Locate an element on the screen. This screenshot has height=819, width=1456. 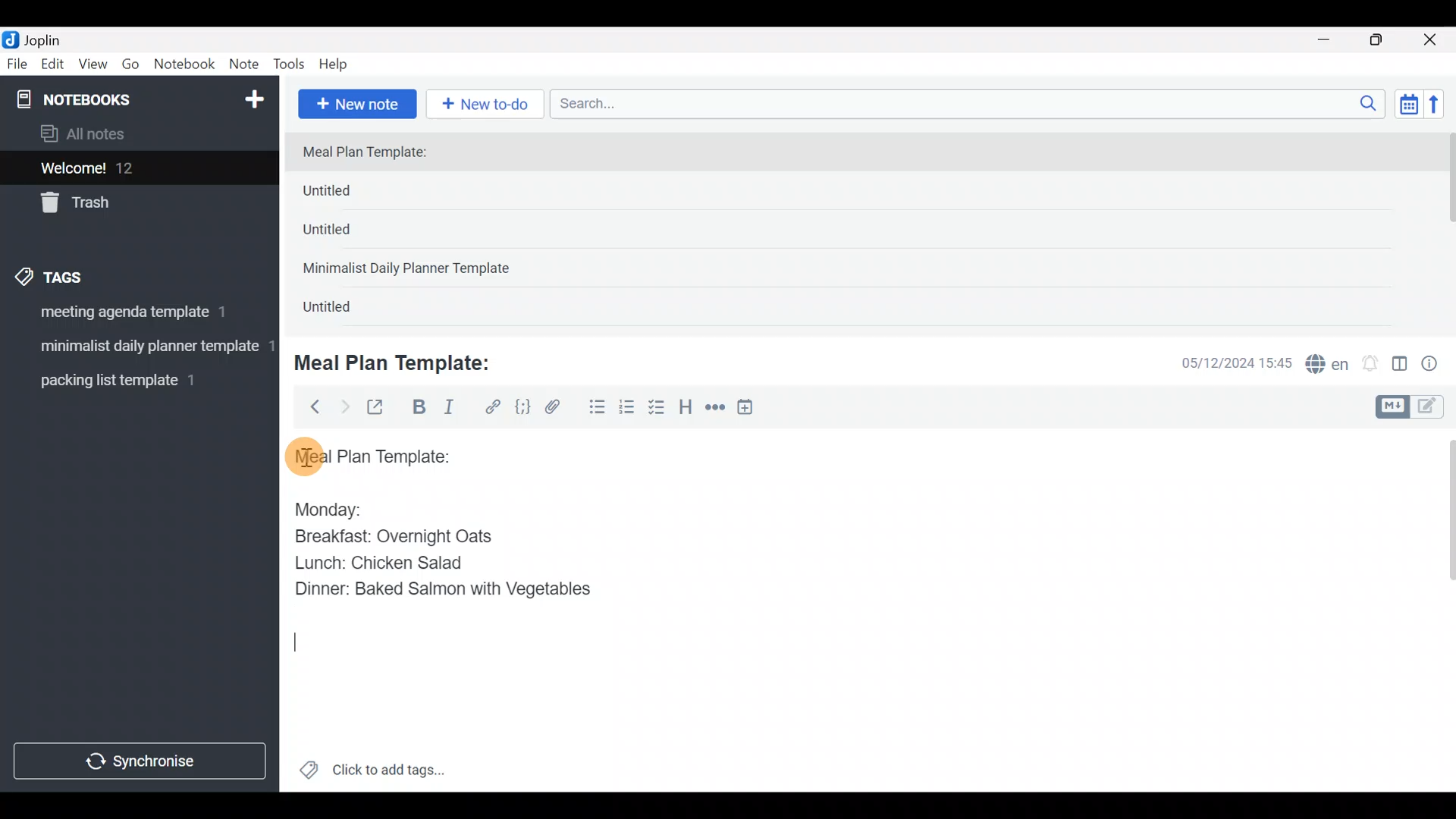
Tag 3 is located at coordinates (134, 380).